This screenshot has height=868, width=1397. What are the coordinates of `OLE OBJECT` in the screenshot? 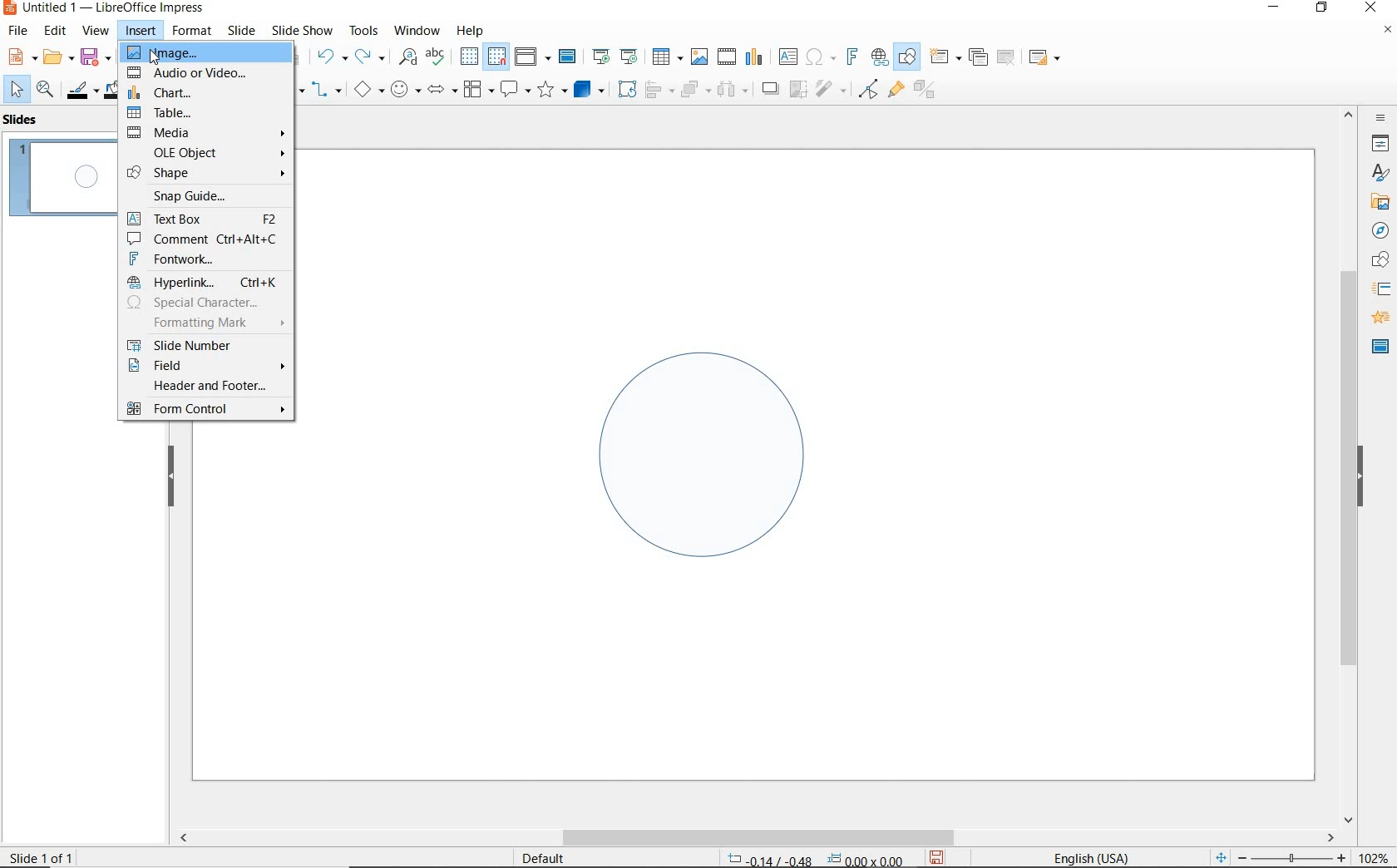 It's located at (214, 152).